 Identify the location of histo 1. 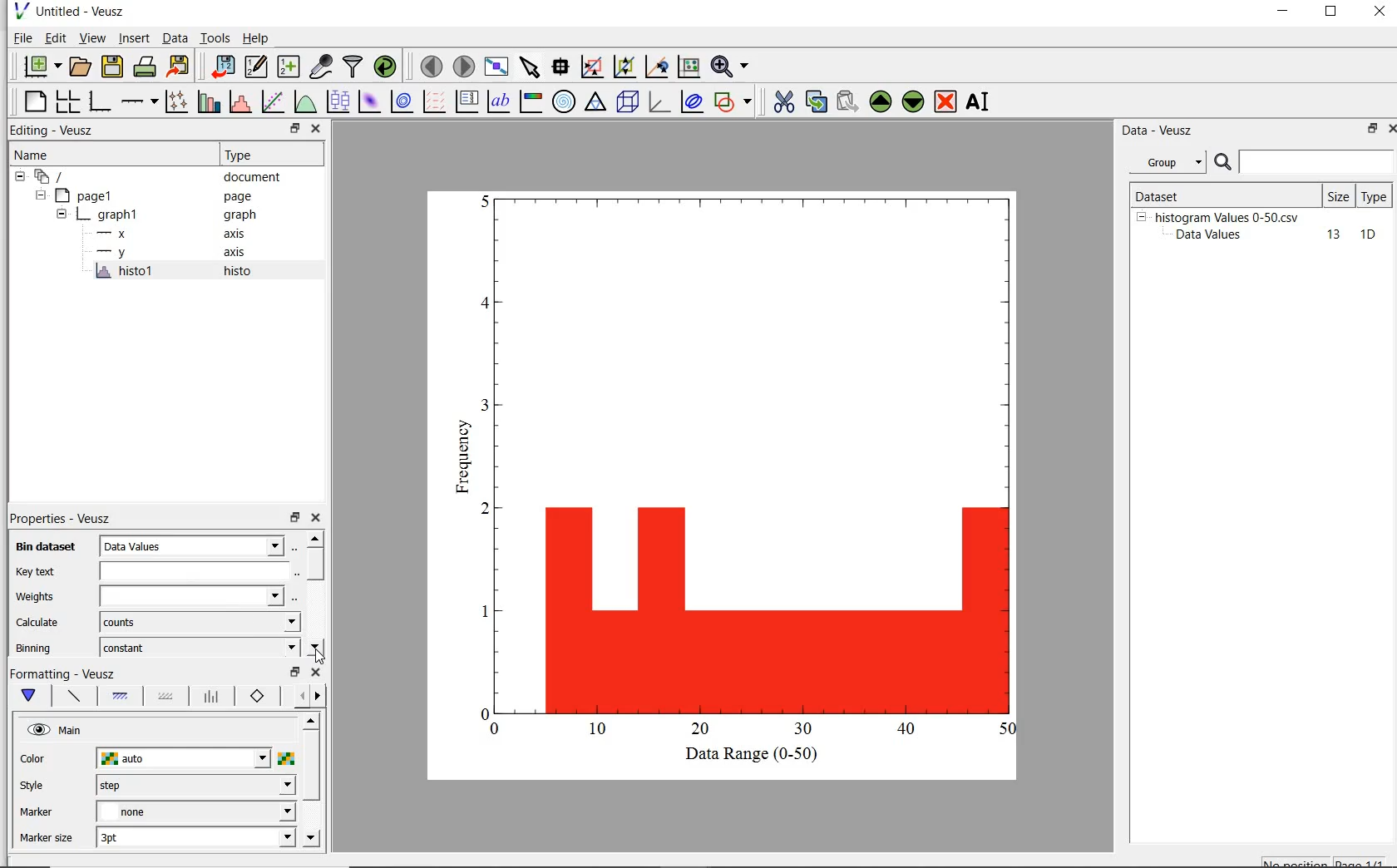
(126, 272).